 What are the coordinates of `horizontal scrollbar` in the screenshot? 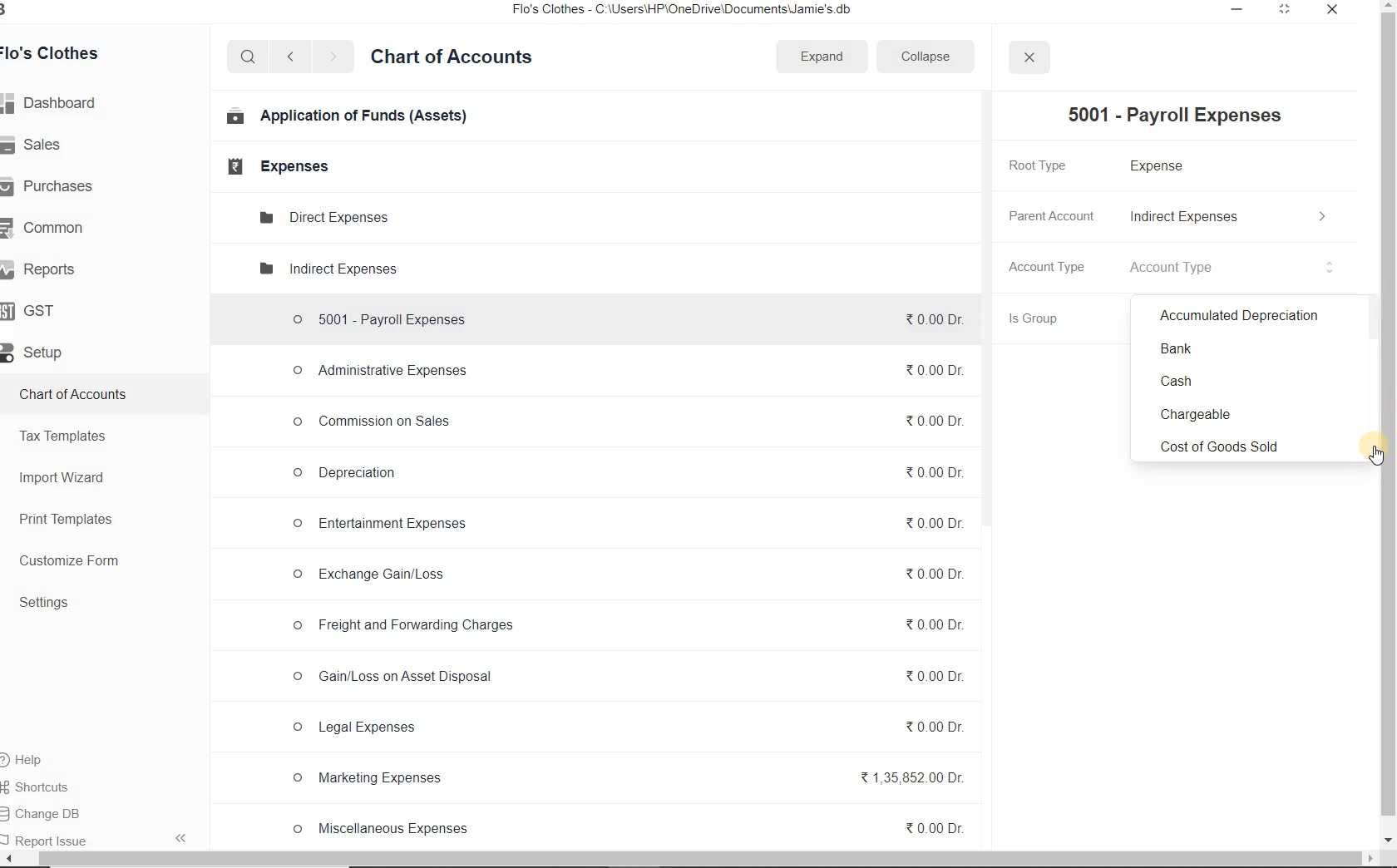 It's located at (681, 859).